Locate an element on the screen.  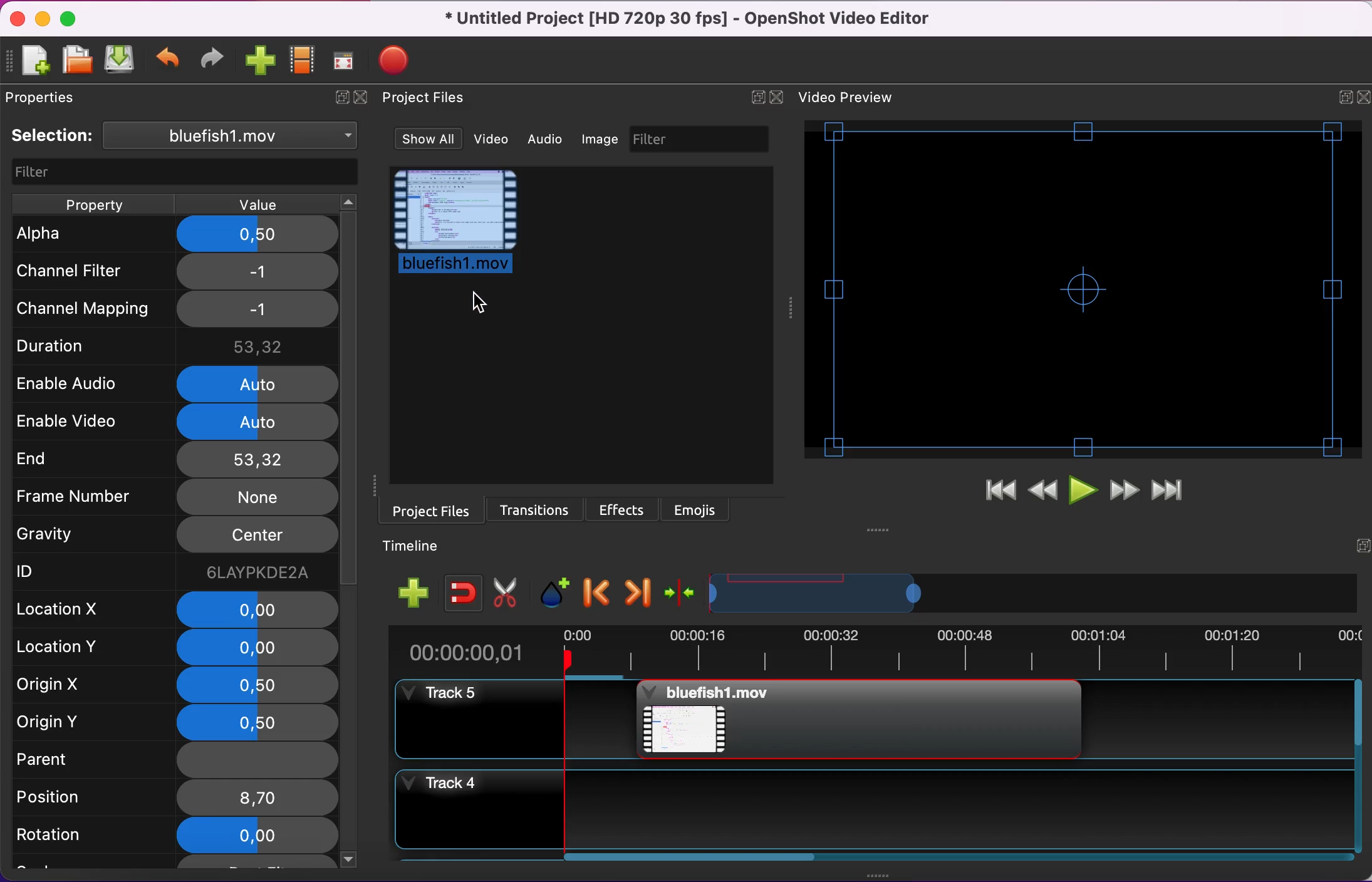
0 is located at coordinates (258, 608).